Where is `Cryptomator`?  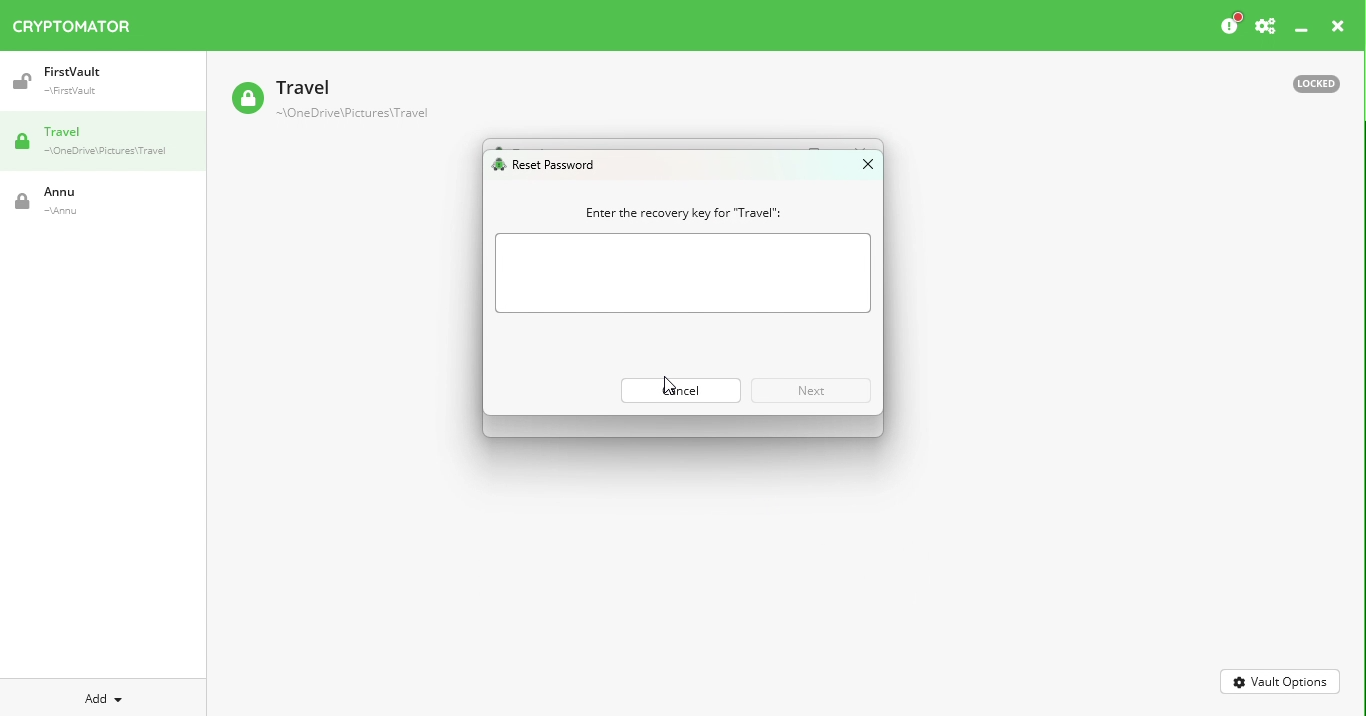 Cryptomator is located at coordinates (72, 22).